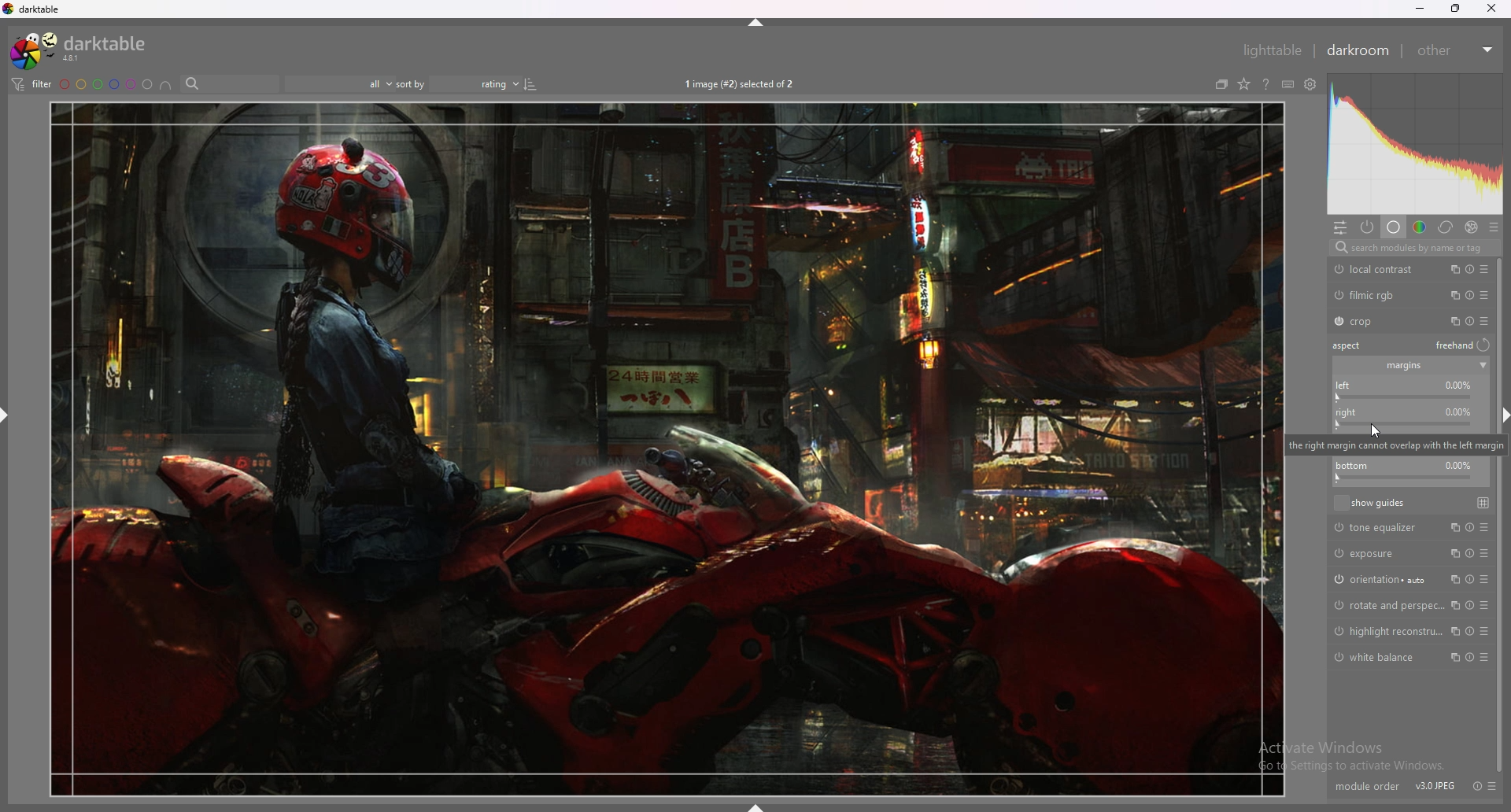  Describe the element at coordinates (106, 83) in the screenshot. I see `color label` at that location.